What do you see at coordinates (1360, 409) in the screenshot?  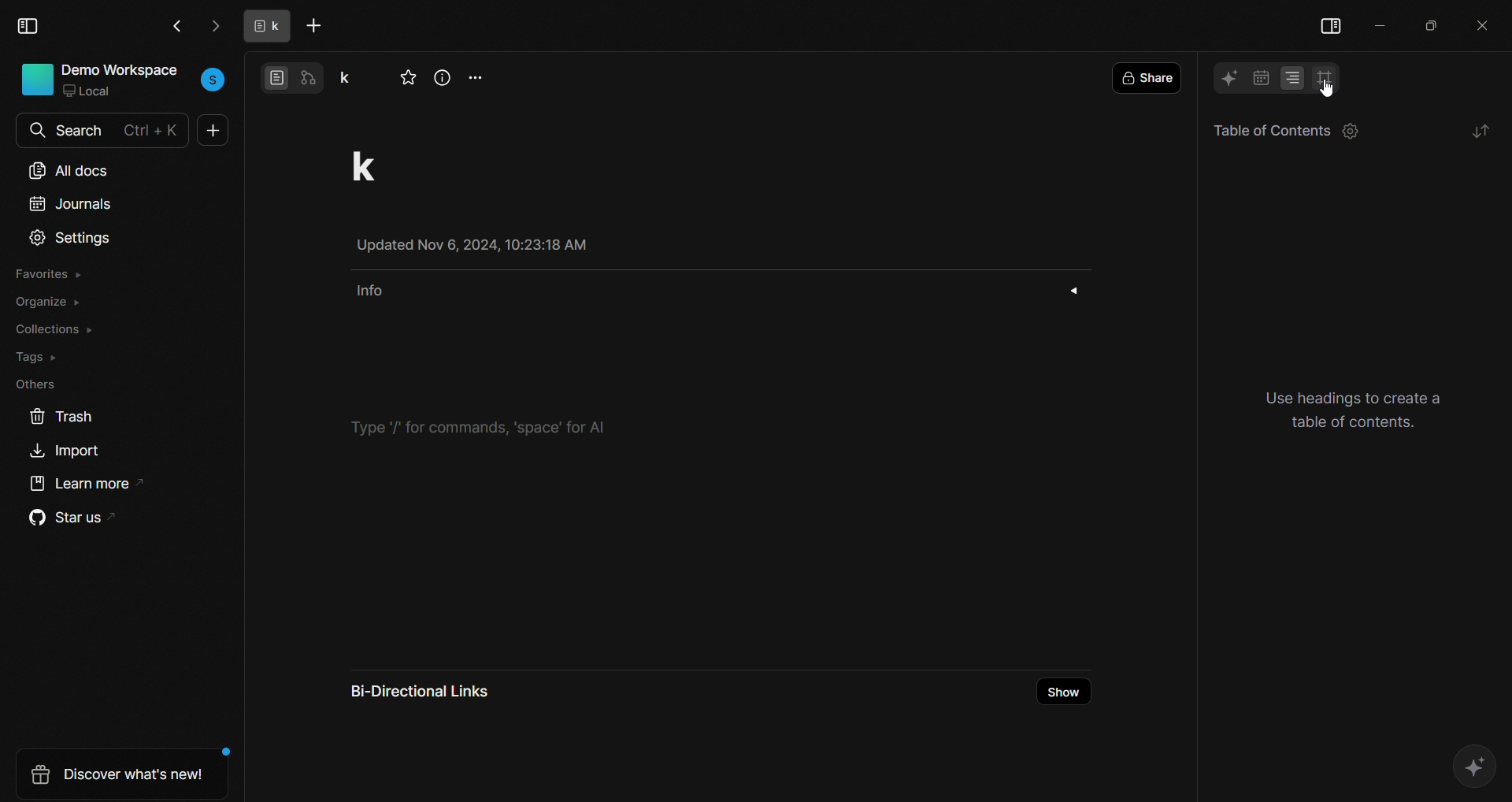 I see `use headings to create a table of contents` at bounding box center [1360, 409].